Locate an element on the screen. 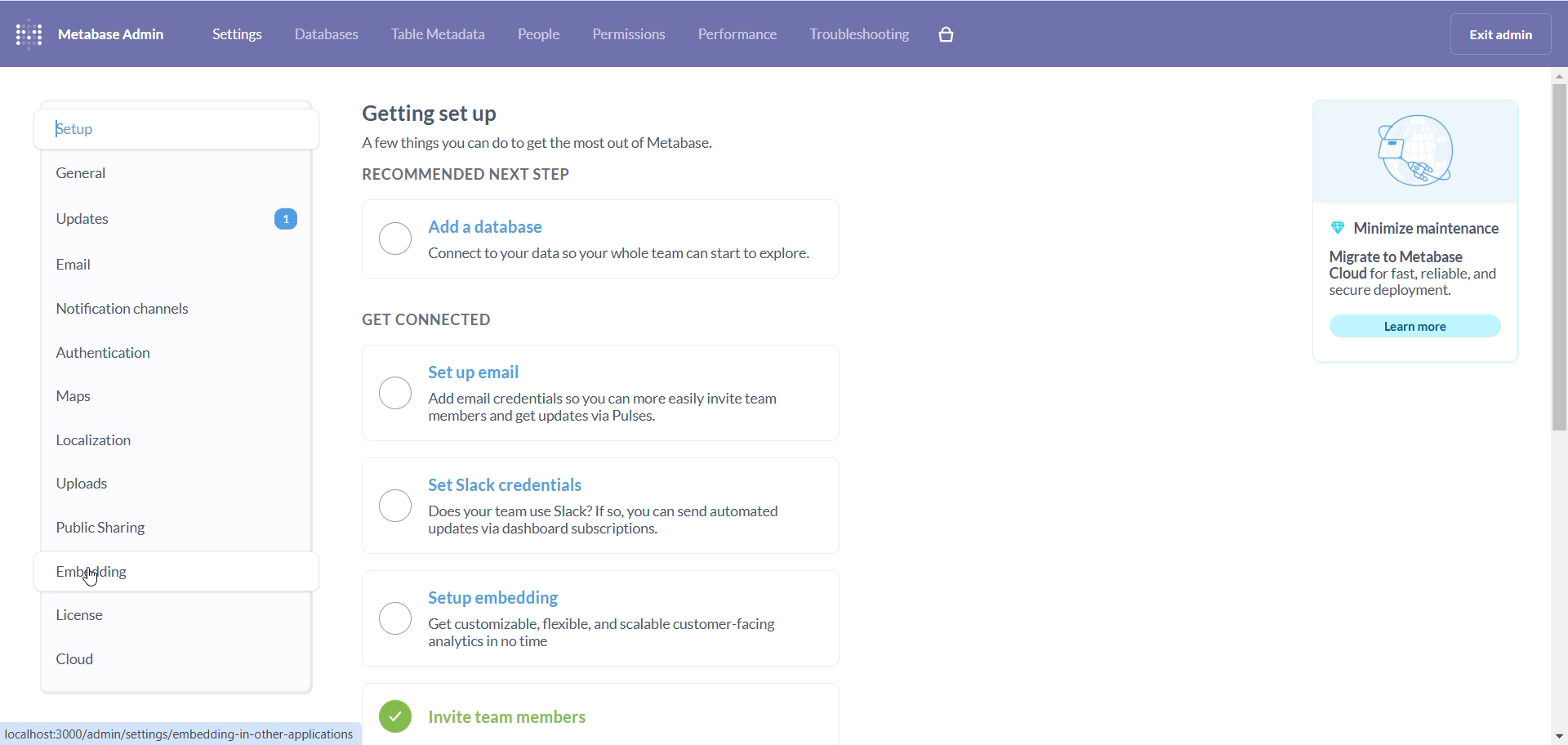  troubleshoot is located at coordinates (861, 34).